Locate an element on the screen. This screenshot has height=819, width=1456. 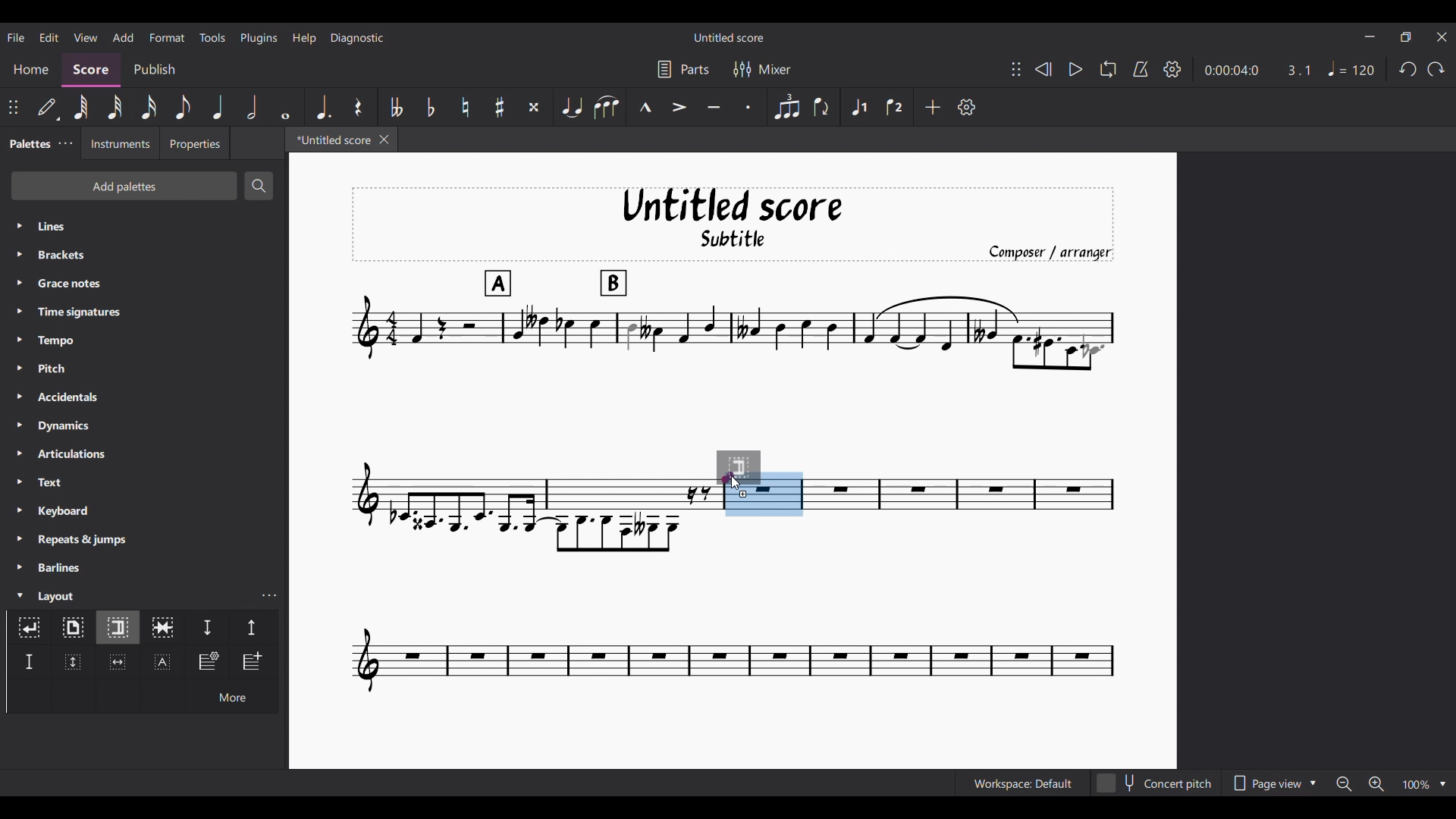
Keep measures on the same system is located at coordinates (162, 627).